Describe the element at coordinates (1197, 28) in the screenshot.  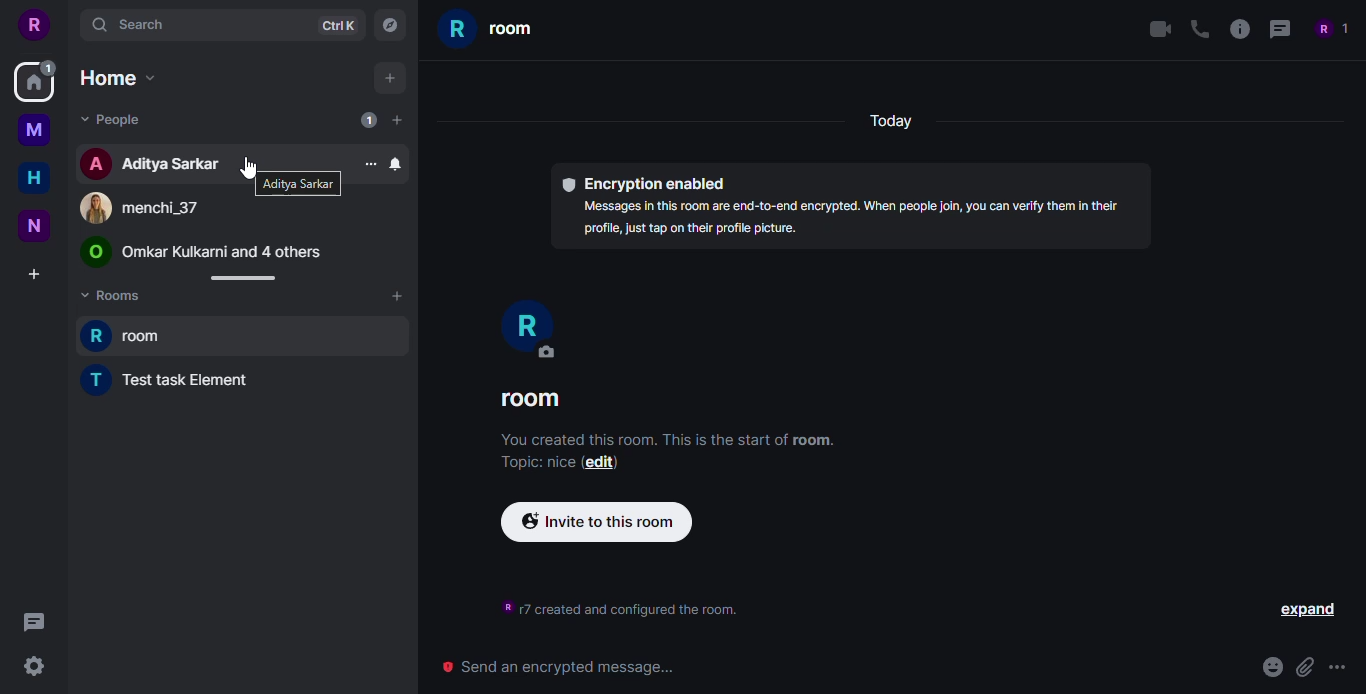
I see `voice call` at that location.